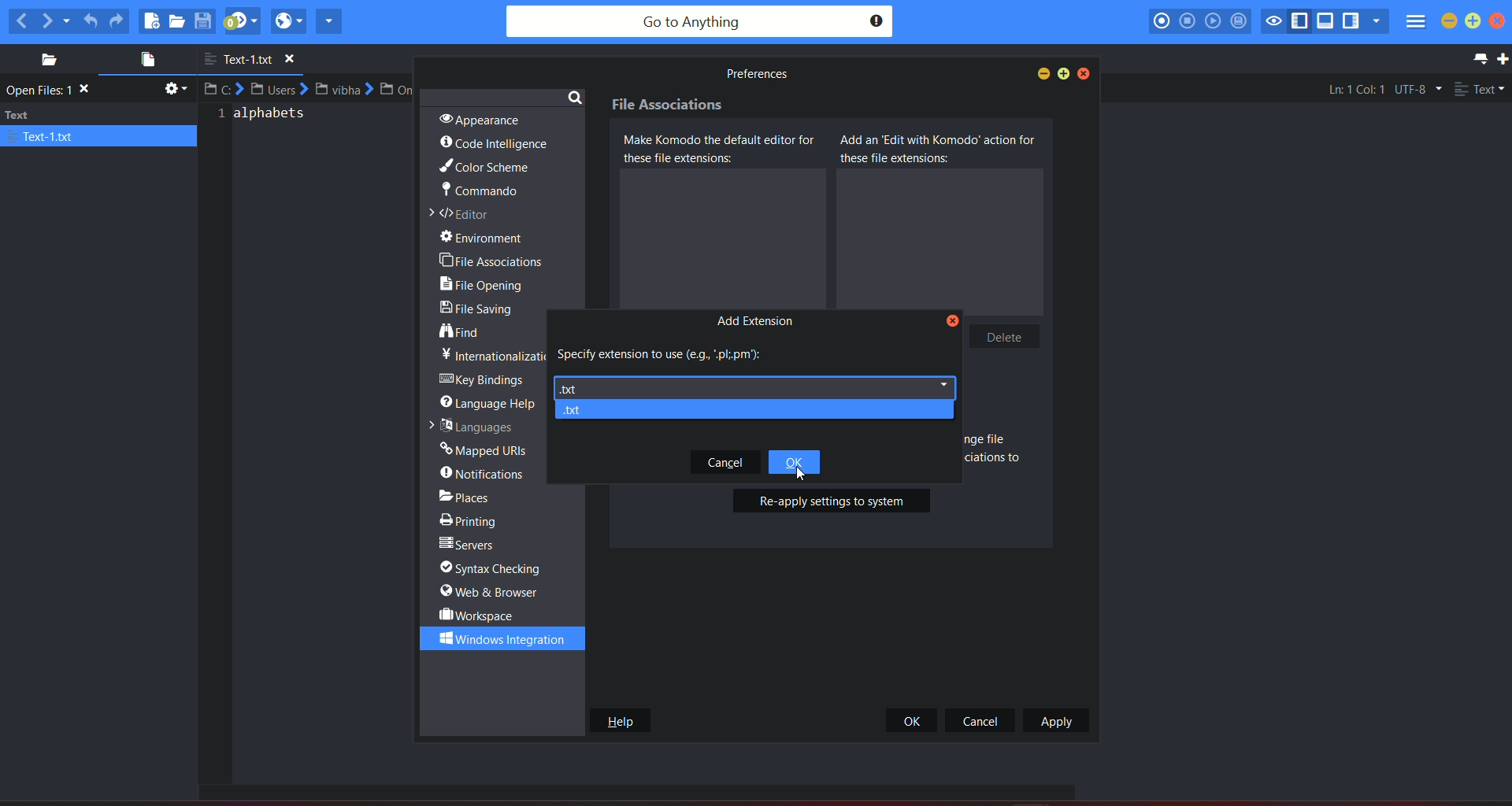 The image size is (1512, 806). What do you see at coordinates (981, 720) in the screenshot?
I see `cancel` at bounding box center [981, 720].